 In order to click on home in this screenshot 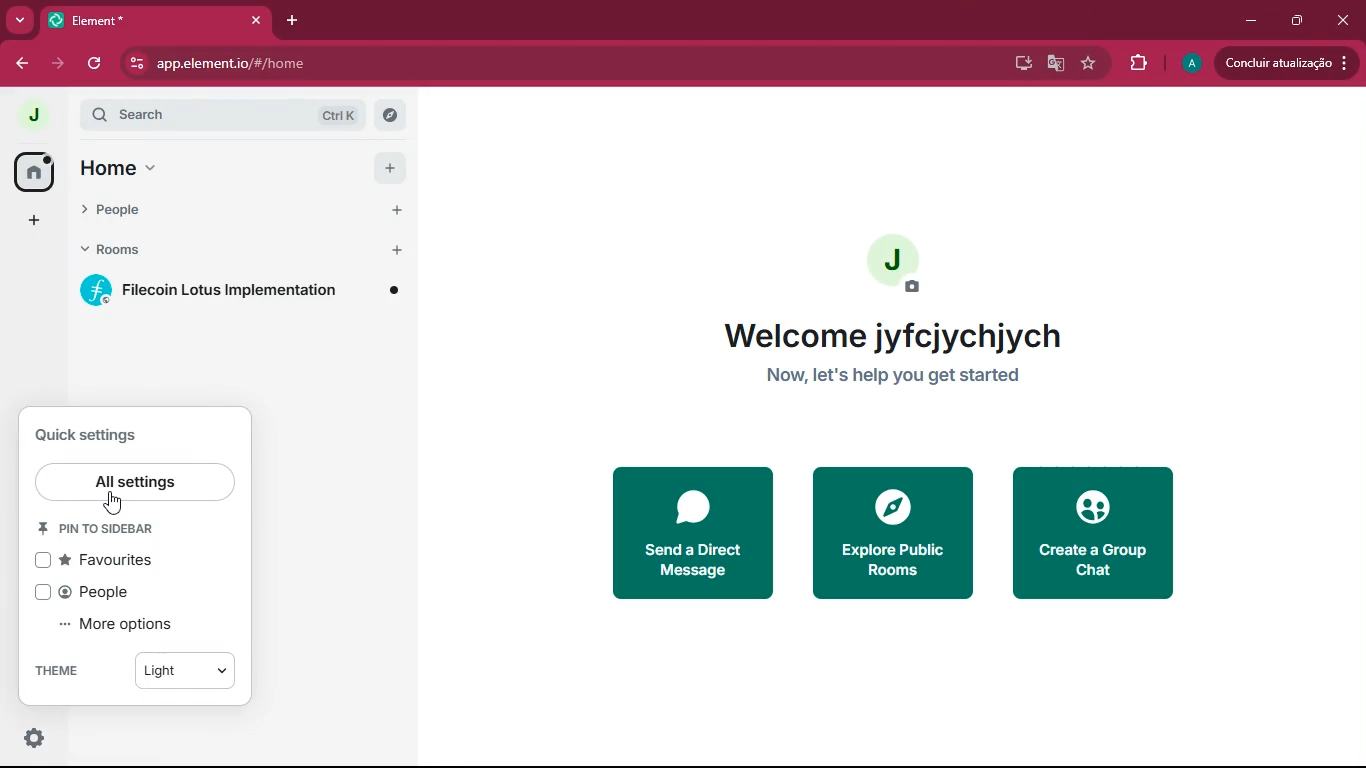, I will do `click(244, 167)`.